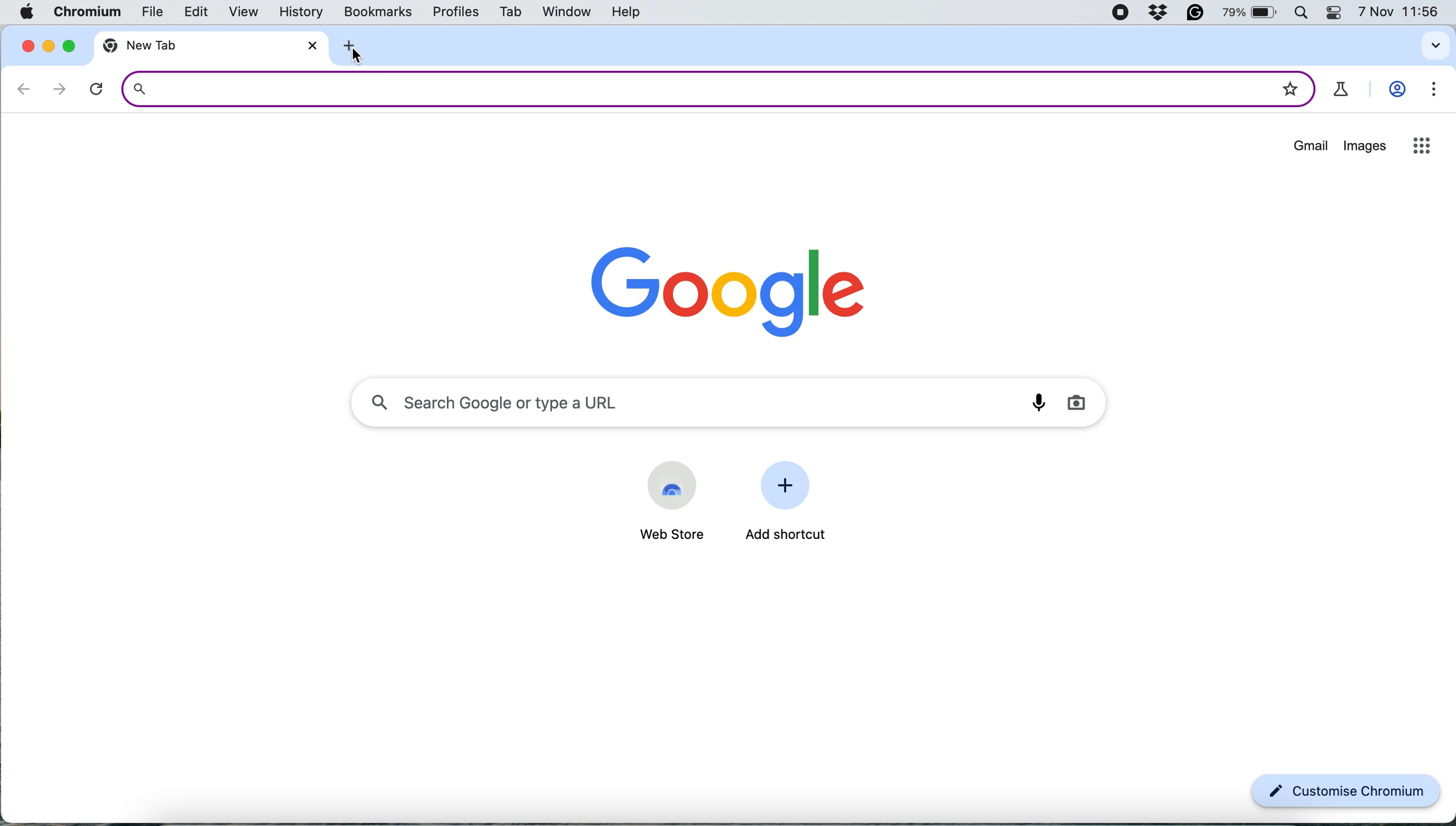 The height and width of the screenshot is (826, 1456). Describe the element at coordinates (379, 12) in the screenshot. I see `bookmarks` at that location.